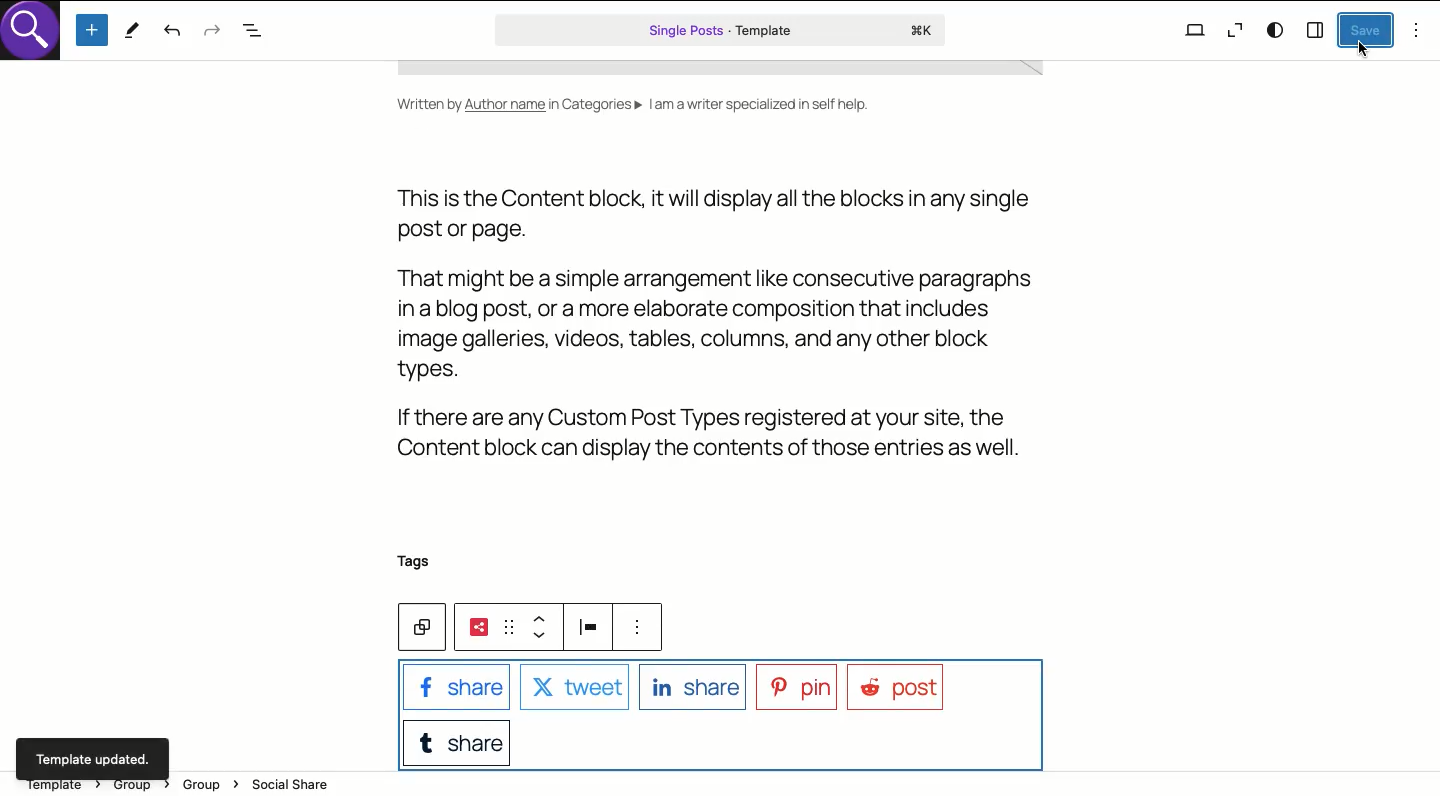 This screenshot has width=1440, height=796. What do you see at coordinates (594, 627) in the screenshot?
I see `Justification` at bounding box center [594, 627].